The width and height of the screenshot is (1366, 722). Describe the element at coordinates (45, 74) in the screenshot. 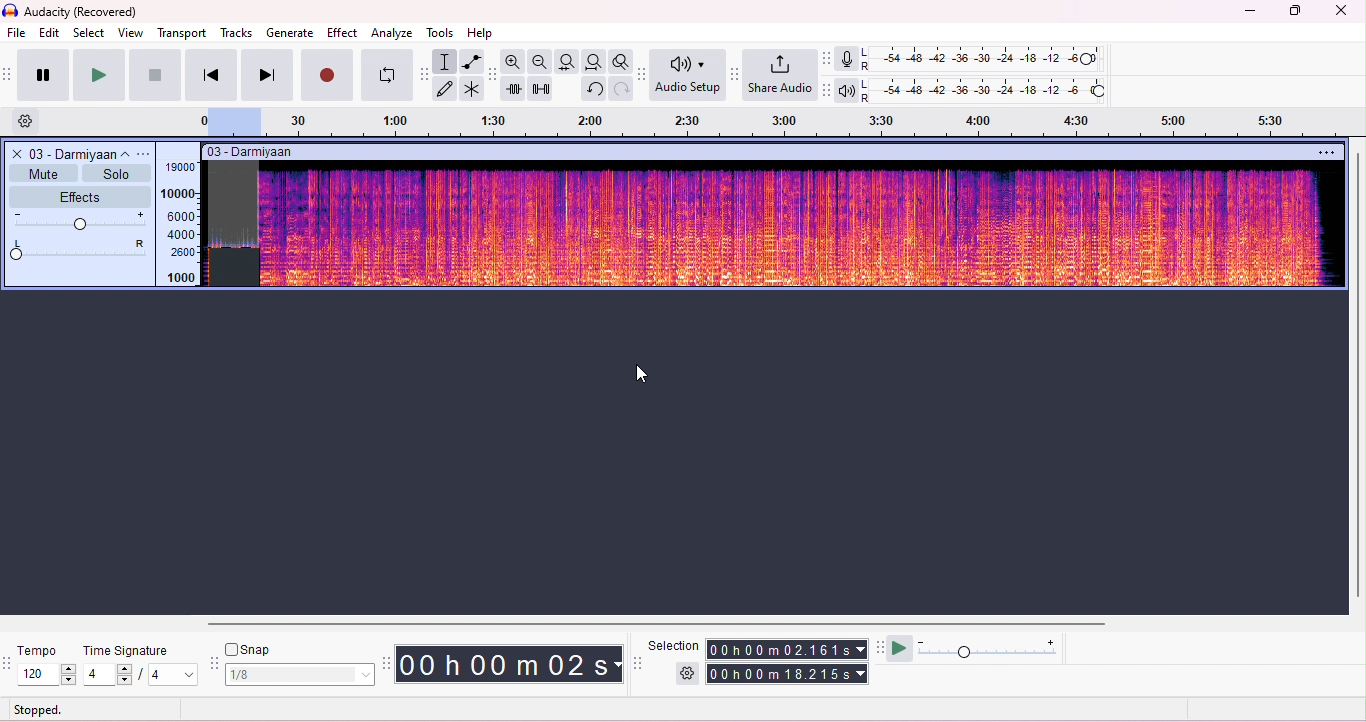

I see `pause` at that location.